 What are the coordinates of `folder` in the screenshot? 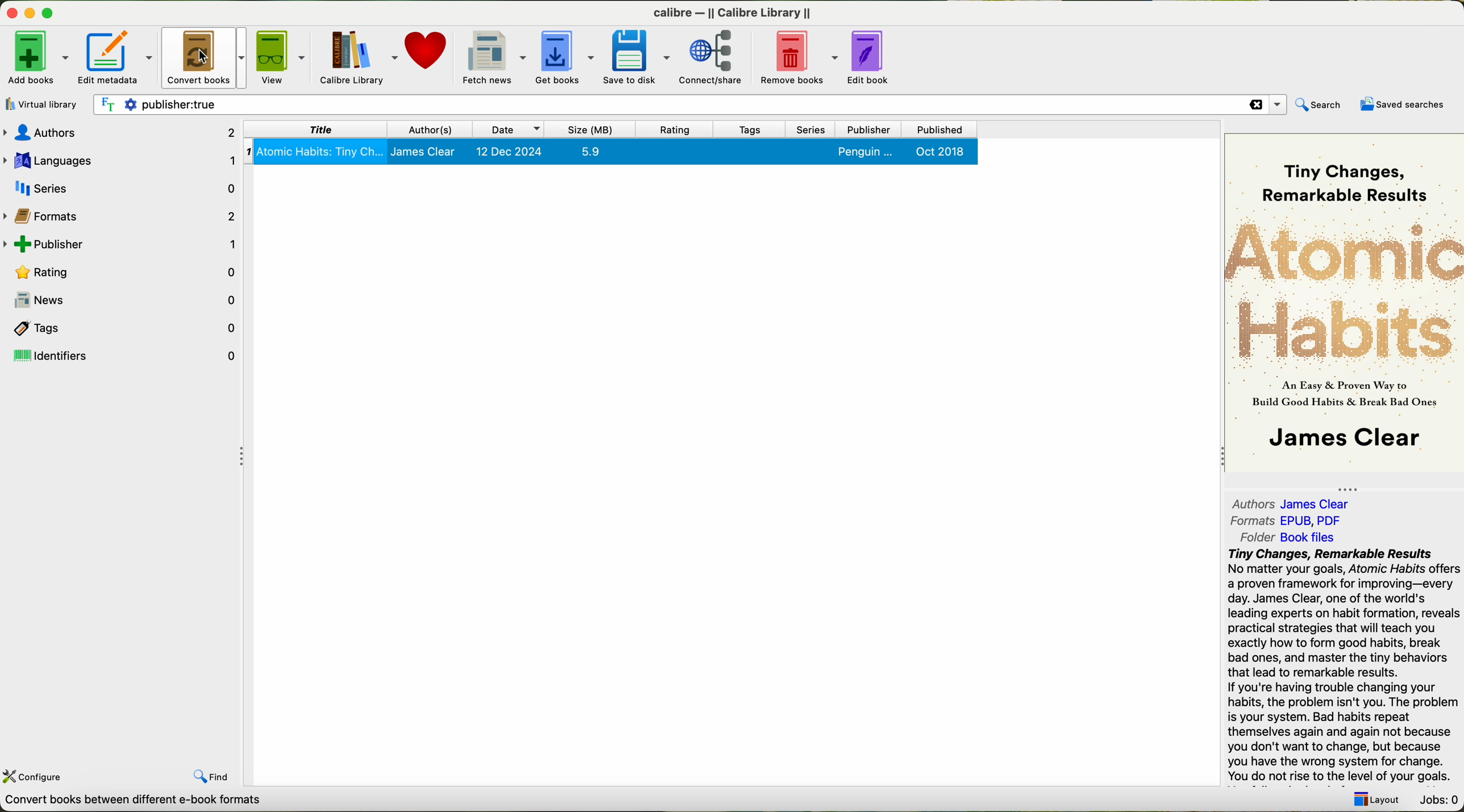 It's located at (1286, 539).